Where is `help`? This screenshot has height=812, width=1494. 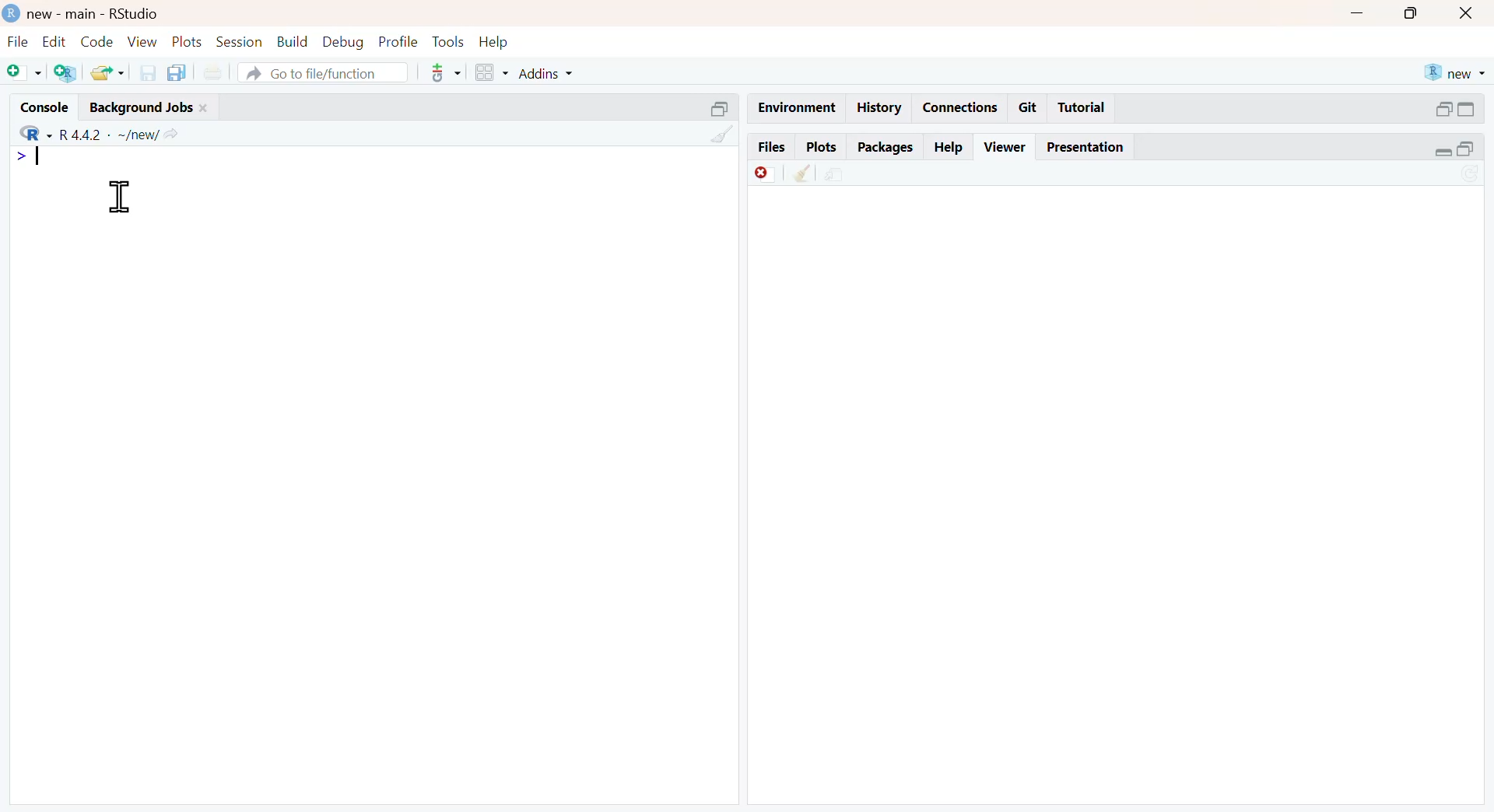
help is located at coordinates (494, 42).